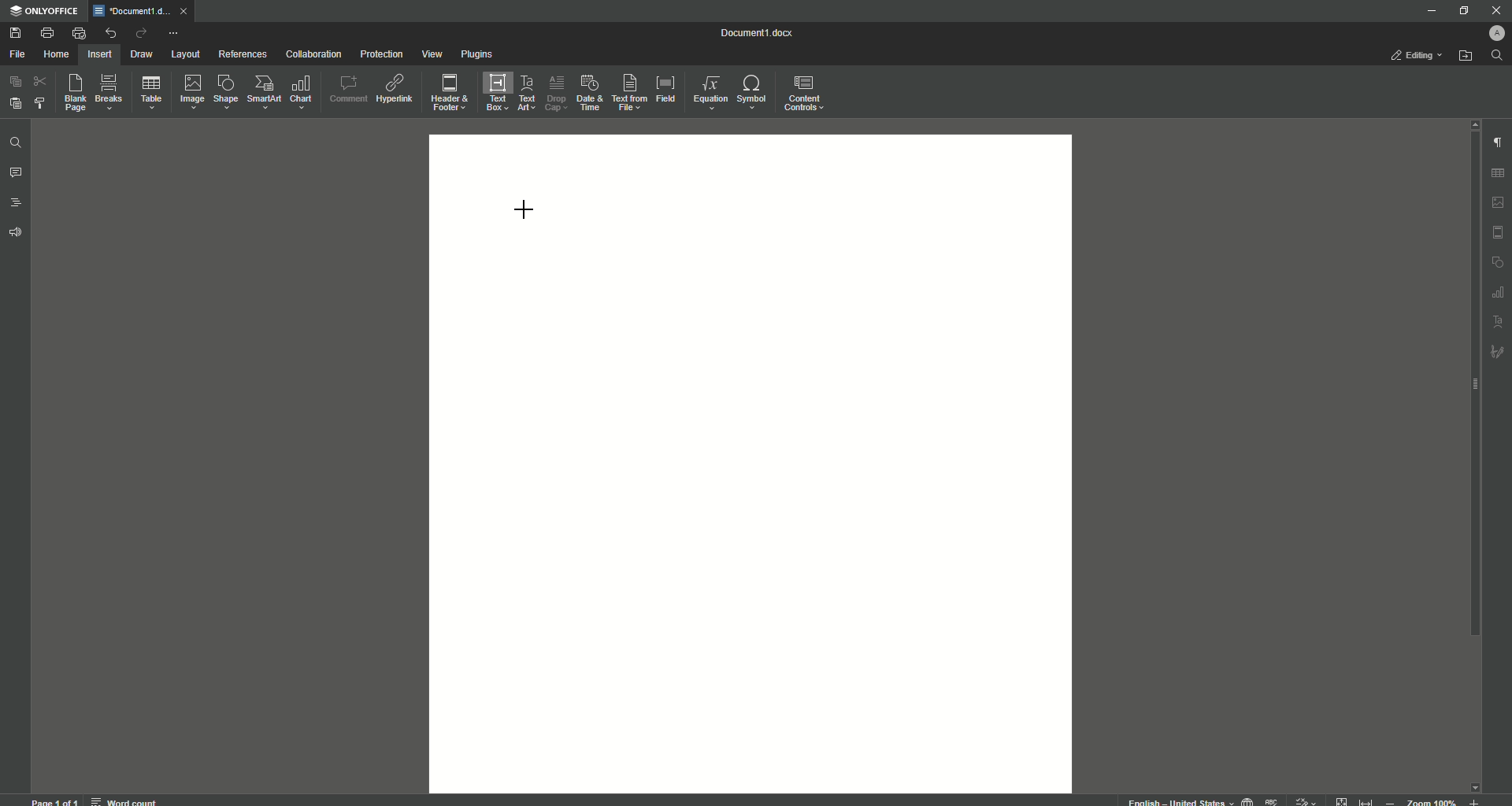 Image resolution: width=1512 pixels, height=806 pixels. What do you see at coordinates (1462, 11) in the screenshot?
I see `Restore` at bounding box center [1462, 11].